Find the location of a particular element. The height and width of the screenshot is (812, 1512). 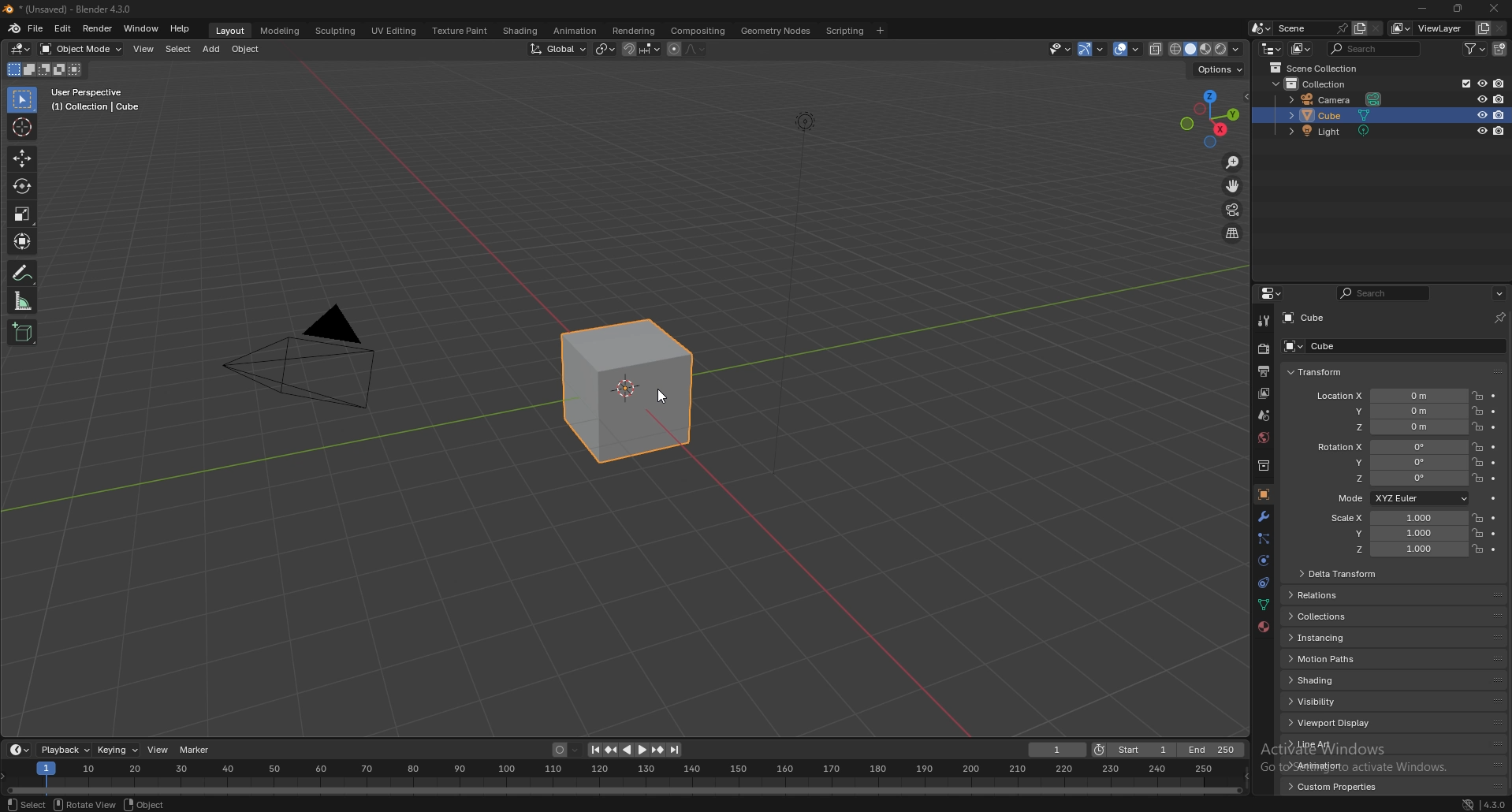

tool is located at coordinates (1264, 322).